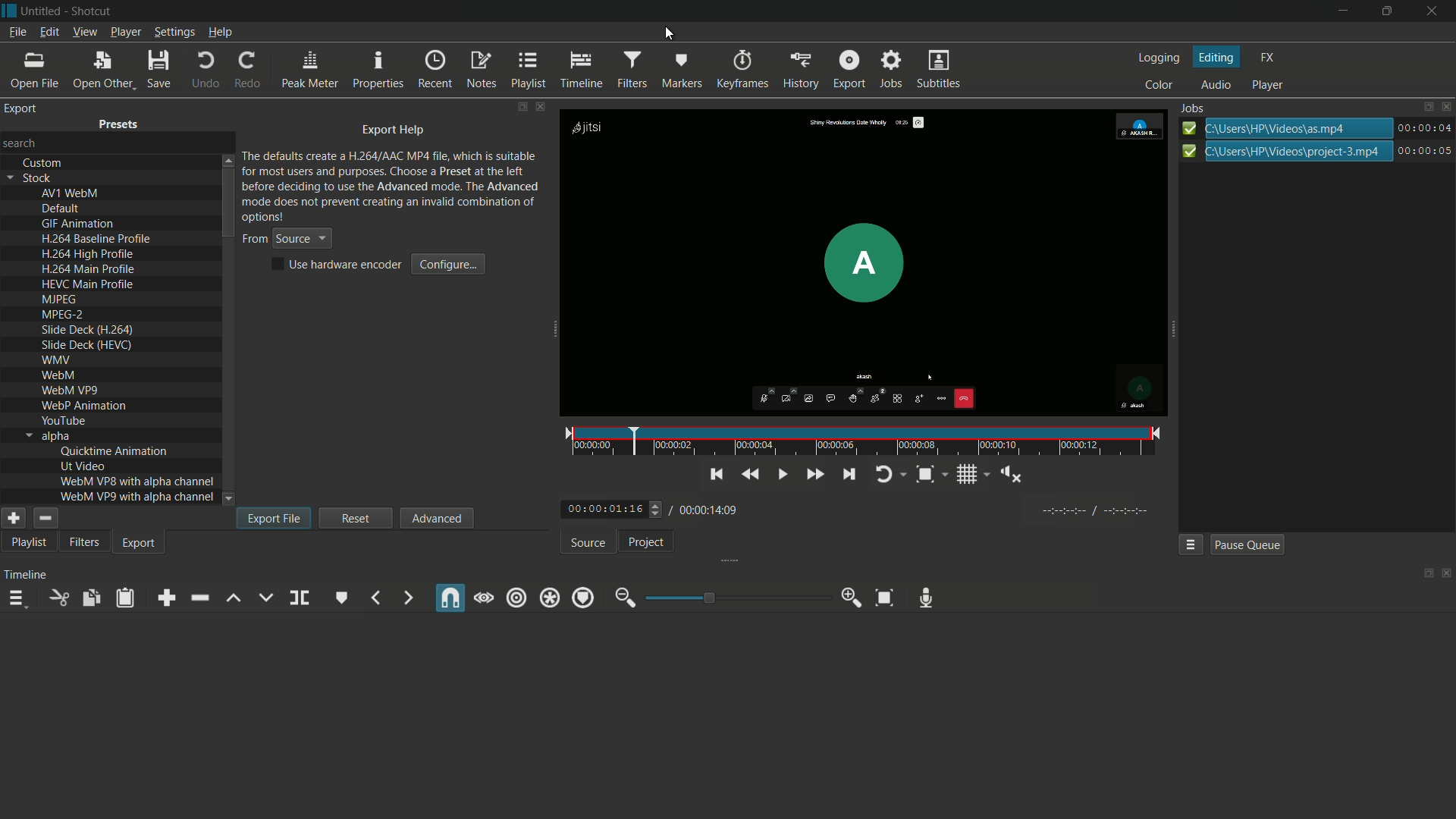 The width and height of the screenshot is (1456, 819). What do you see at coordinates (849, 472) in the screenshot?
I see `skip to the next point` at bounding box center [849, 472].